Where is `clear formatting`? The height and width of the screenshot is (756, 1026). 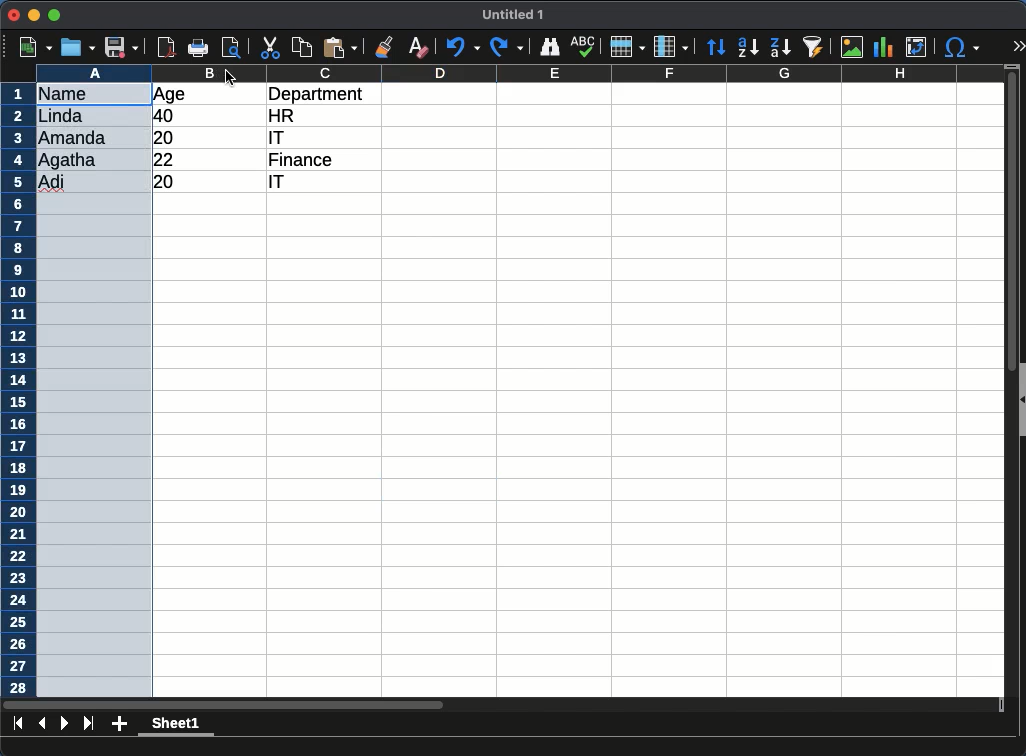
clear formatting is located at coordinates (418, 46).